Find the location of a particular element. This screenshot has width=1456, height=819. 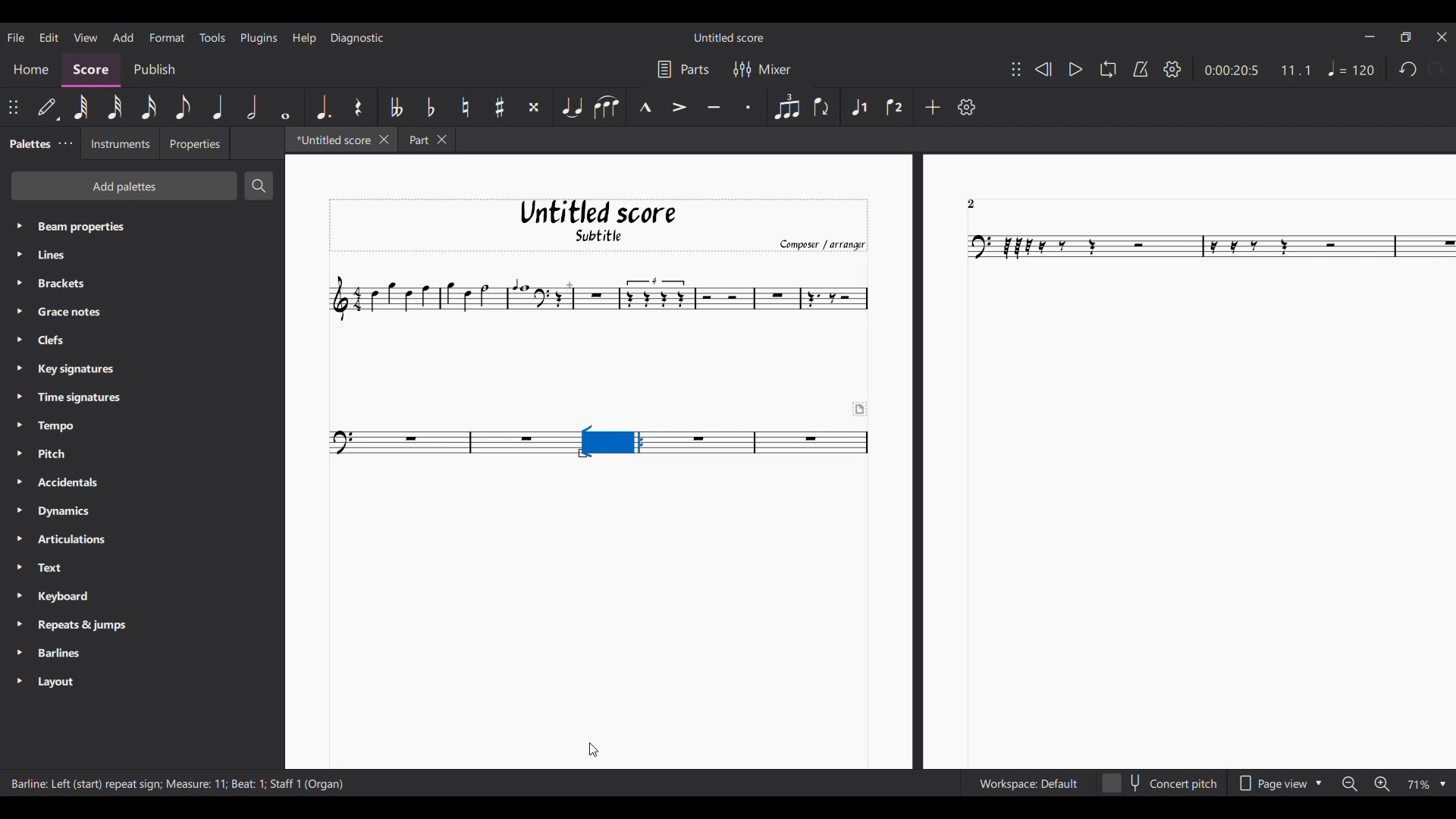

Tuplet is located at coordinates (787, 106).